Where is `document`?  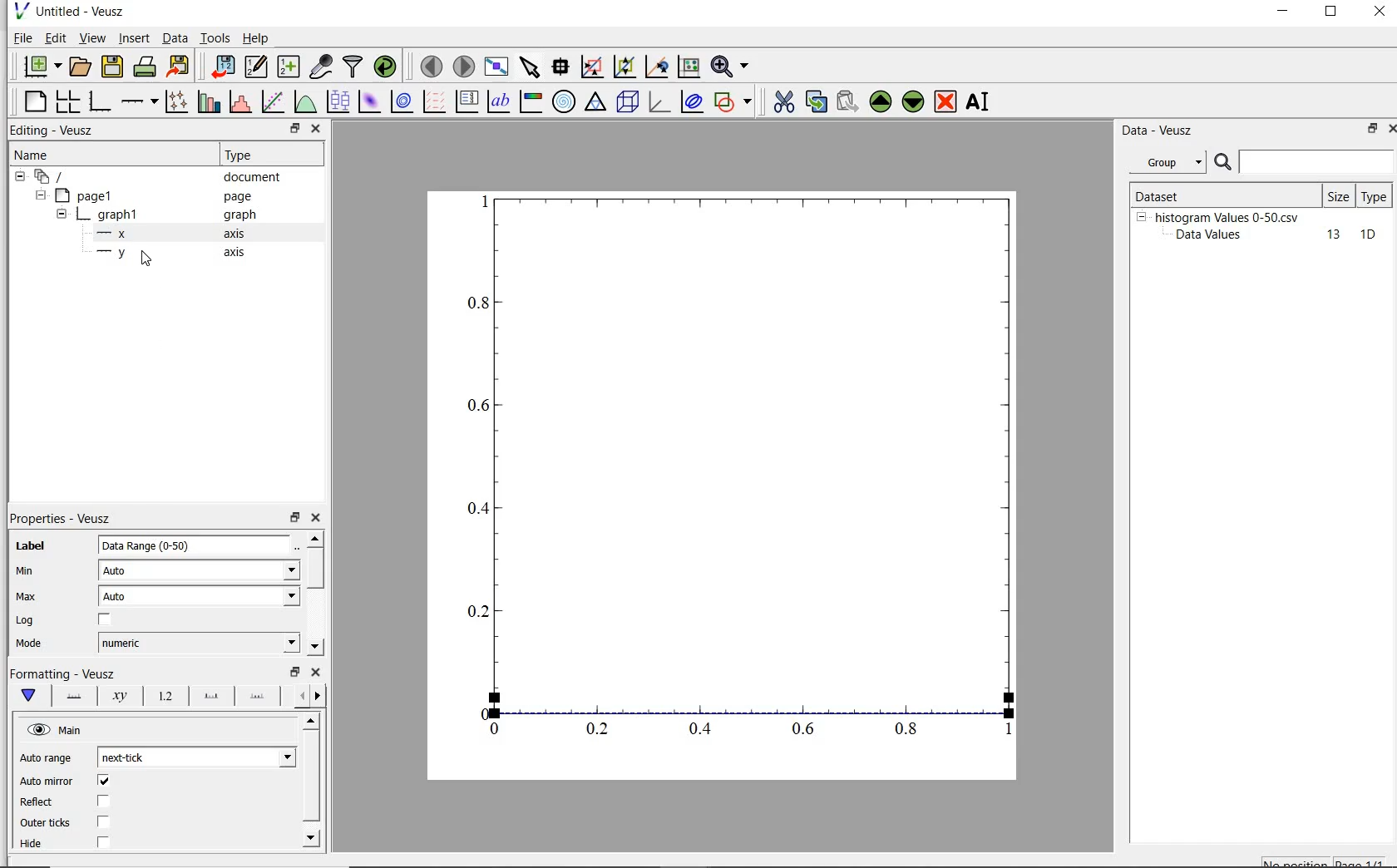 document is located at coordinates (253, 179).